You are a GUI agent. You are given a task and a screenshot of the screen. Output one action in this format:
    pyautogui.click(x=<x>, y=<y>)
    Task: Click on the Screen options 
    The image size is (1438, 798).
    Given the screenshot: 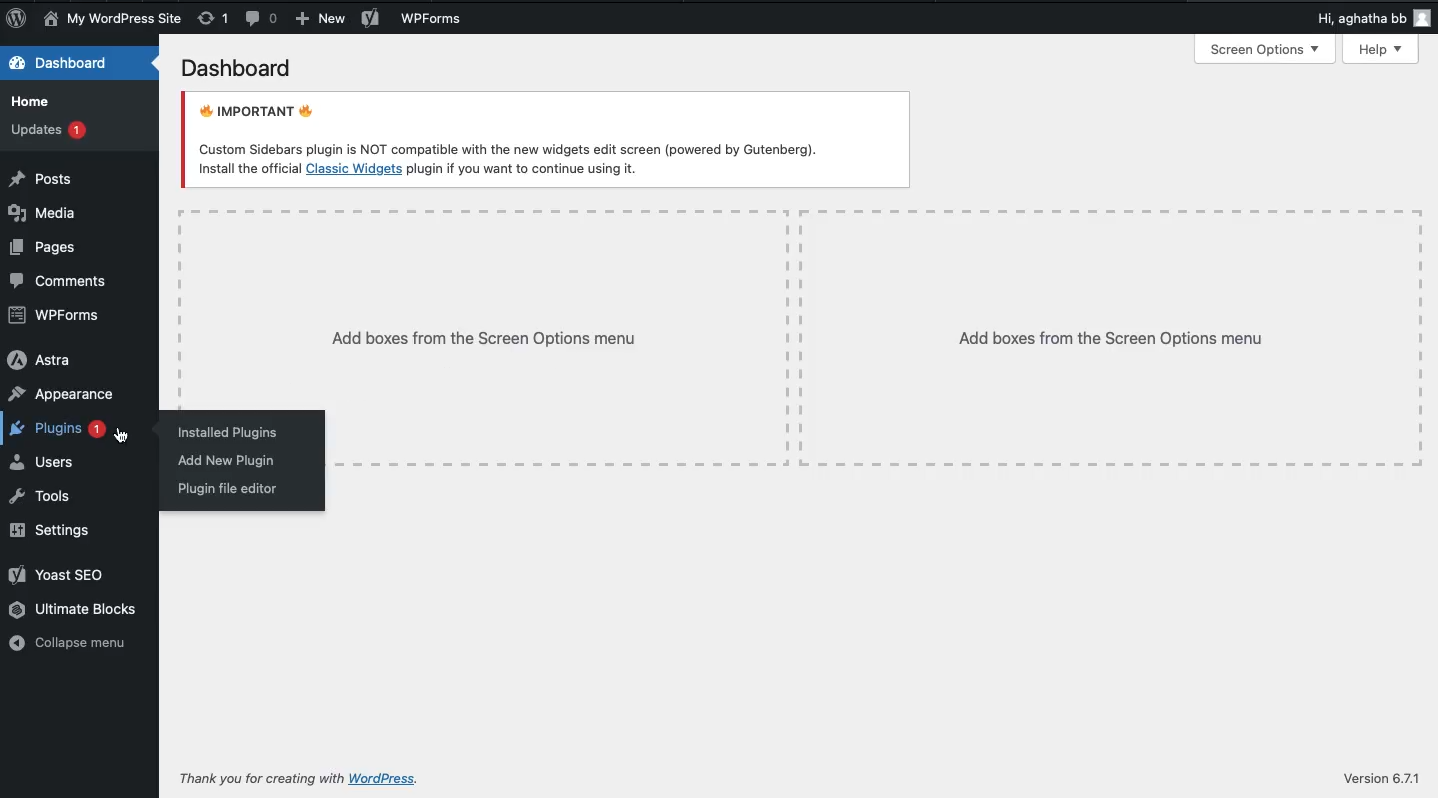 What is the action you would take?
    pyautogui.click(x=1266, y=50)
    